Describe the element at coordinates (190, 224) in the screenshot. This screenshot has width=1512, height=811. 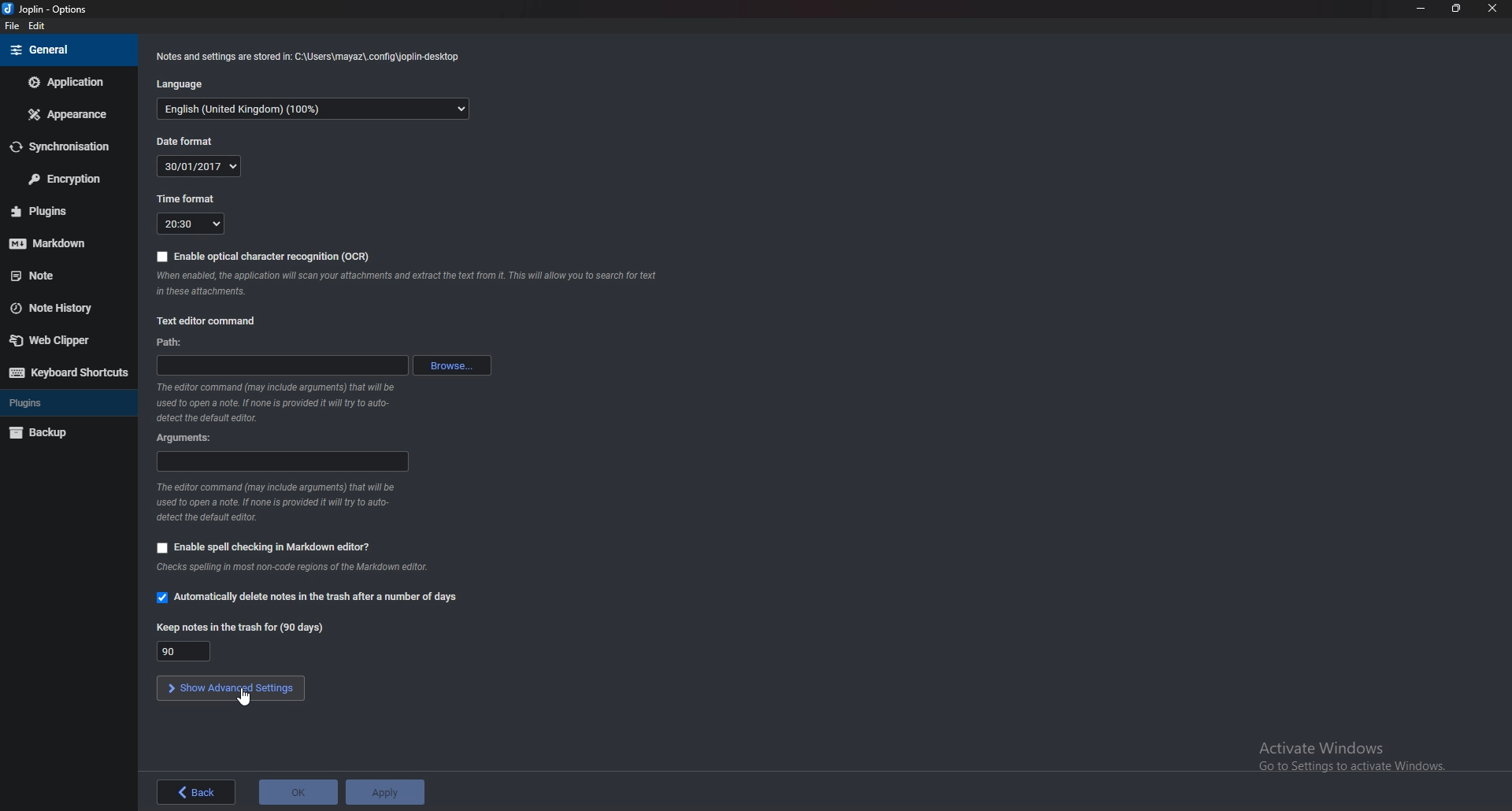
I see `20:30` at that location.